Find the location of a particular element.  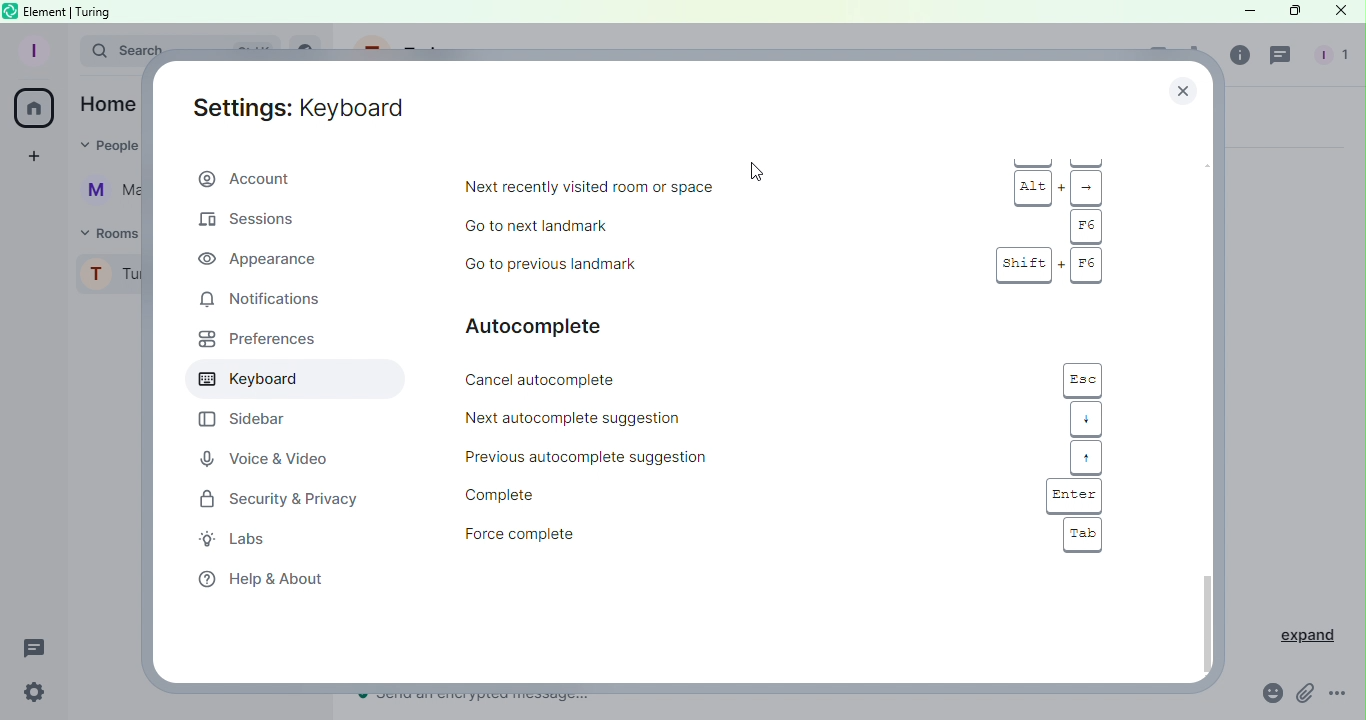

Cursor is located at coordinates (758, 171).